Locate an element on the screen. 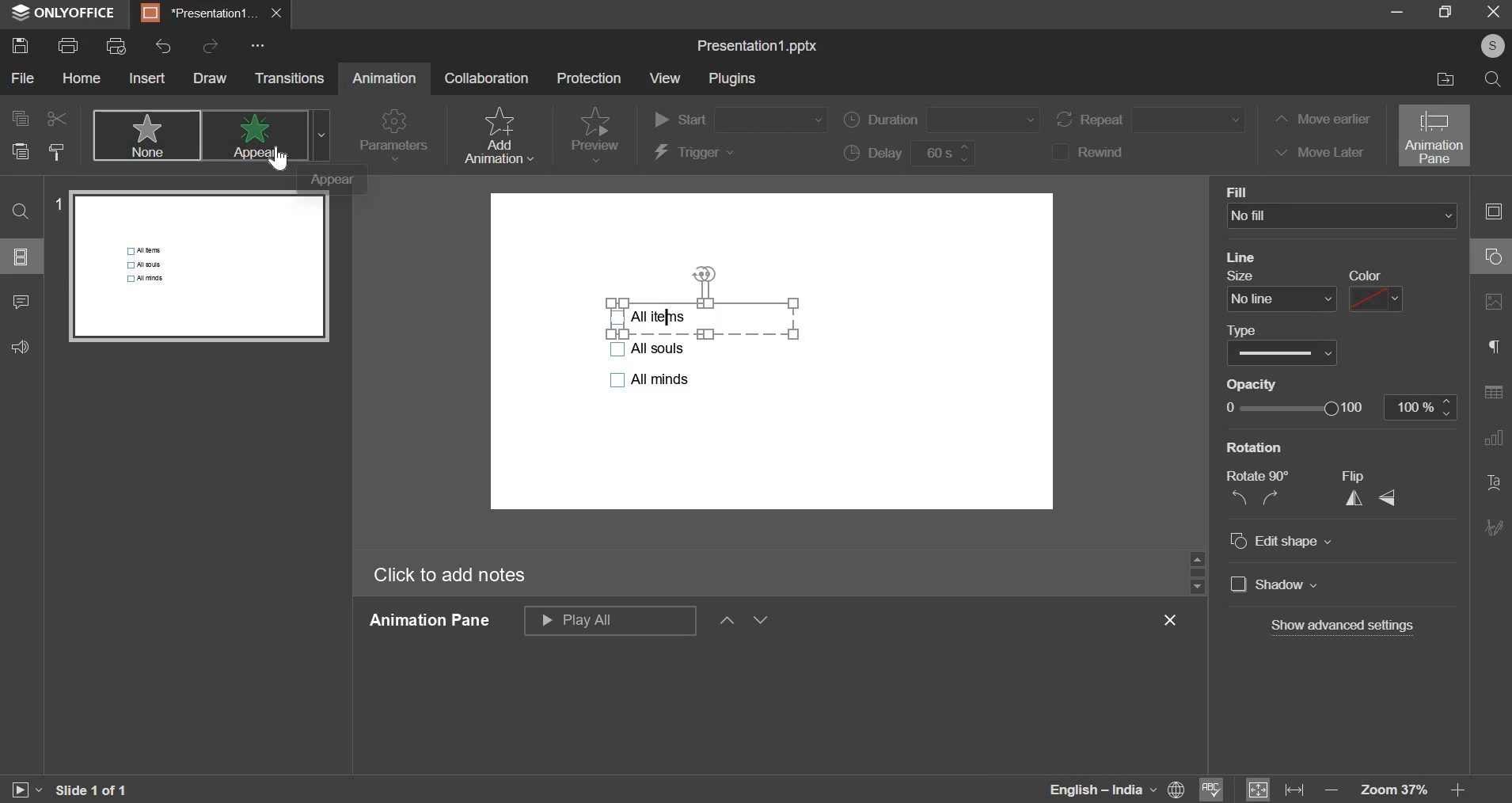 This screenshot has height=803, width=1512. insert is located at coordinates (146, 78).